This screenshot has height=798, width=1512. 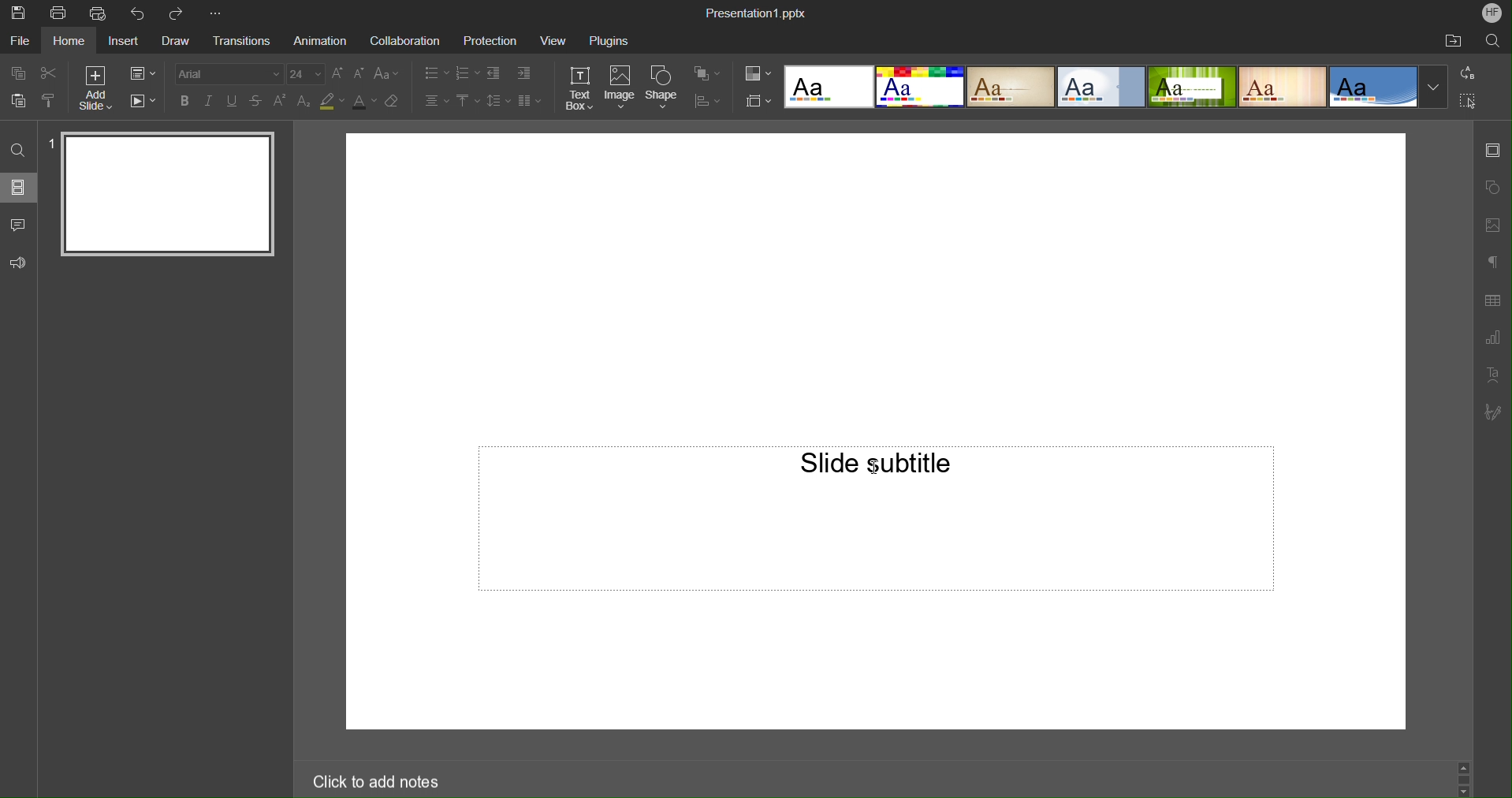 What do you see at coordinates (385, 74) in the screenshot?
I see `Change Case` at bounding box center [385, 74].